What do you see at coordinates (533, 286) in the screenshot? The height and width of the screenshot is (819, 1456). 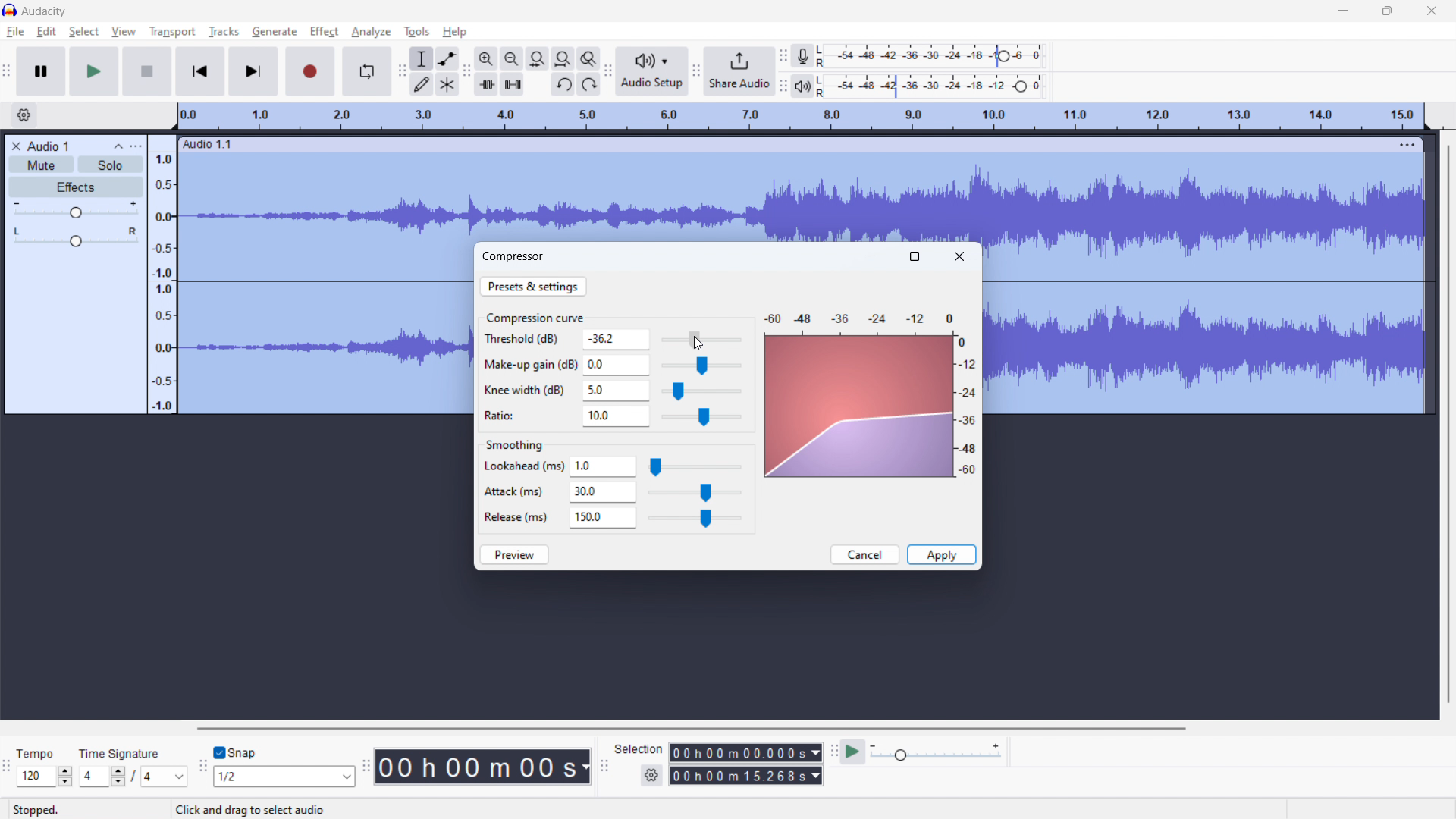 I see `presets & settings` at bounding box center [533, 286].